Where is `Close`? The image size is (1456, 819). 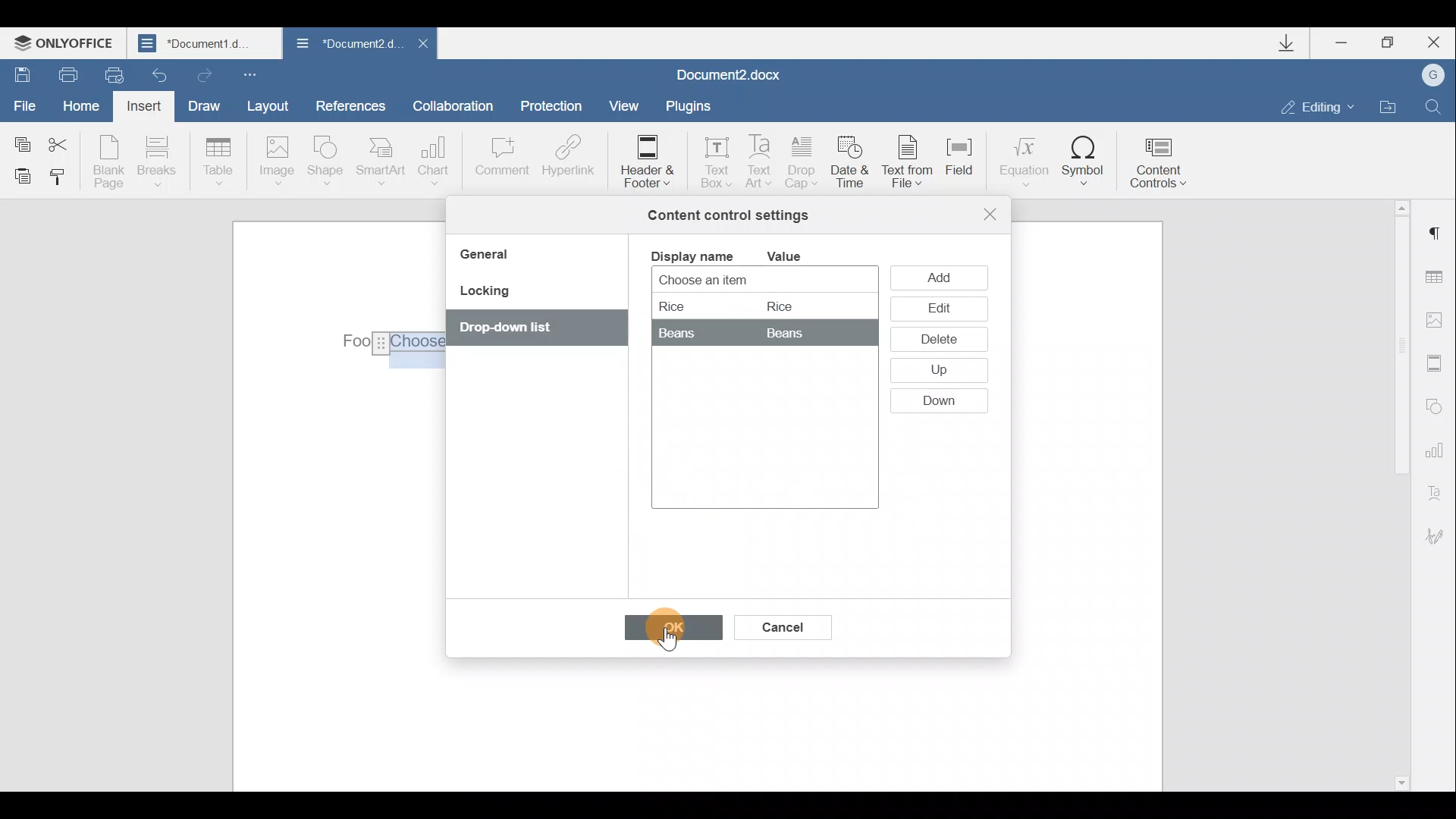
Close is located at coordinates (1432, 42).